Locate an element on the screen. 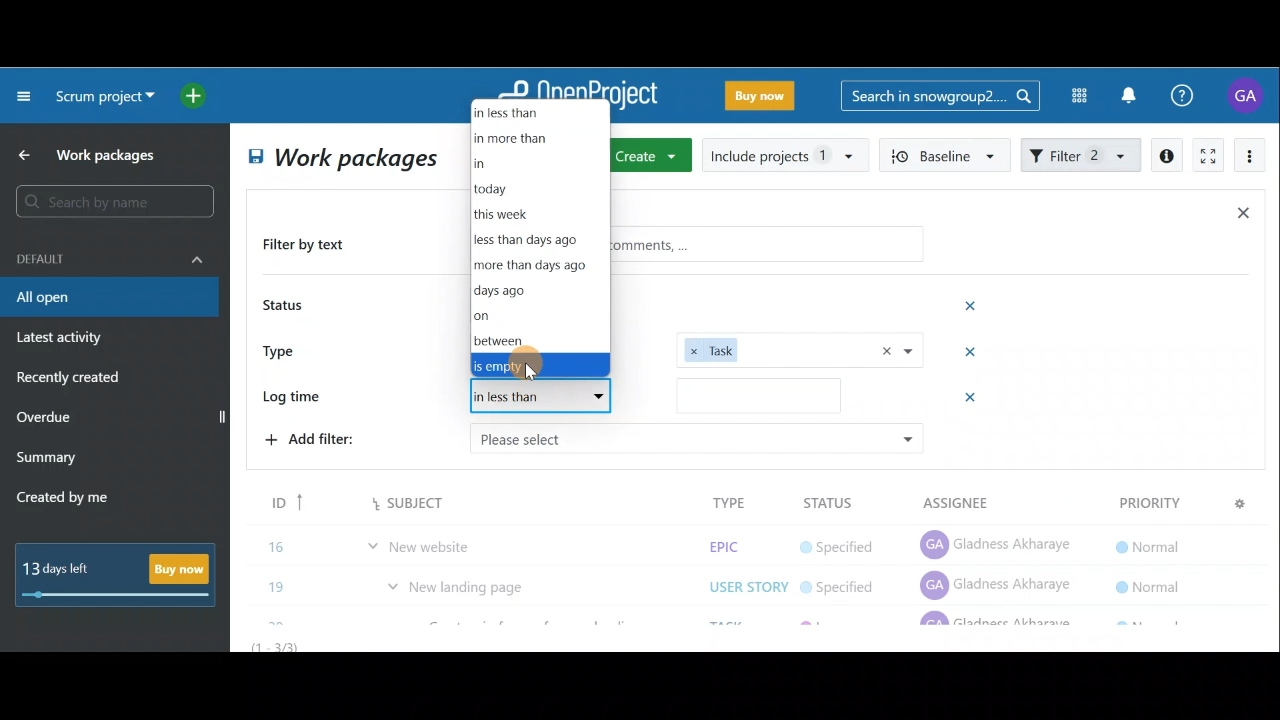 The image size is (1280, 720). Activate zen mode is located at coordinates (1206, 157).